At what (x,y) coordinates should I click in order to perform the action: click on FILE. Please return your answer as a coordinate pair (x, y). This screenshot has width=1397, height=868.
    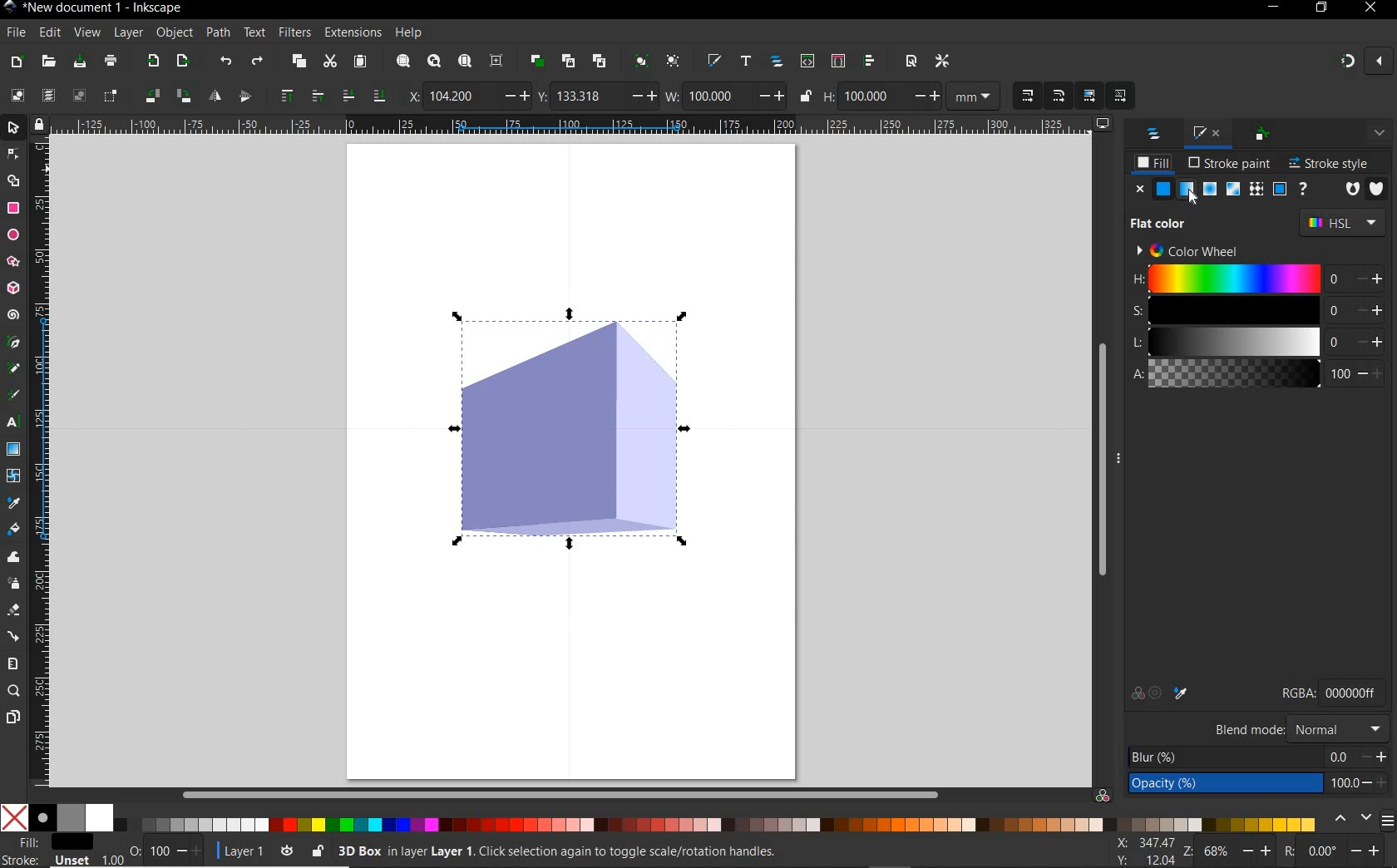
    Looking at the image, I should click on (15, 33).